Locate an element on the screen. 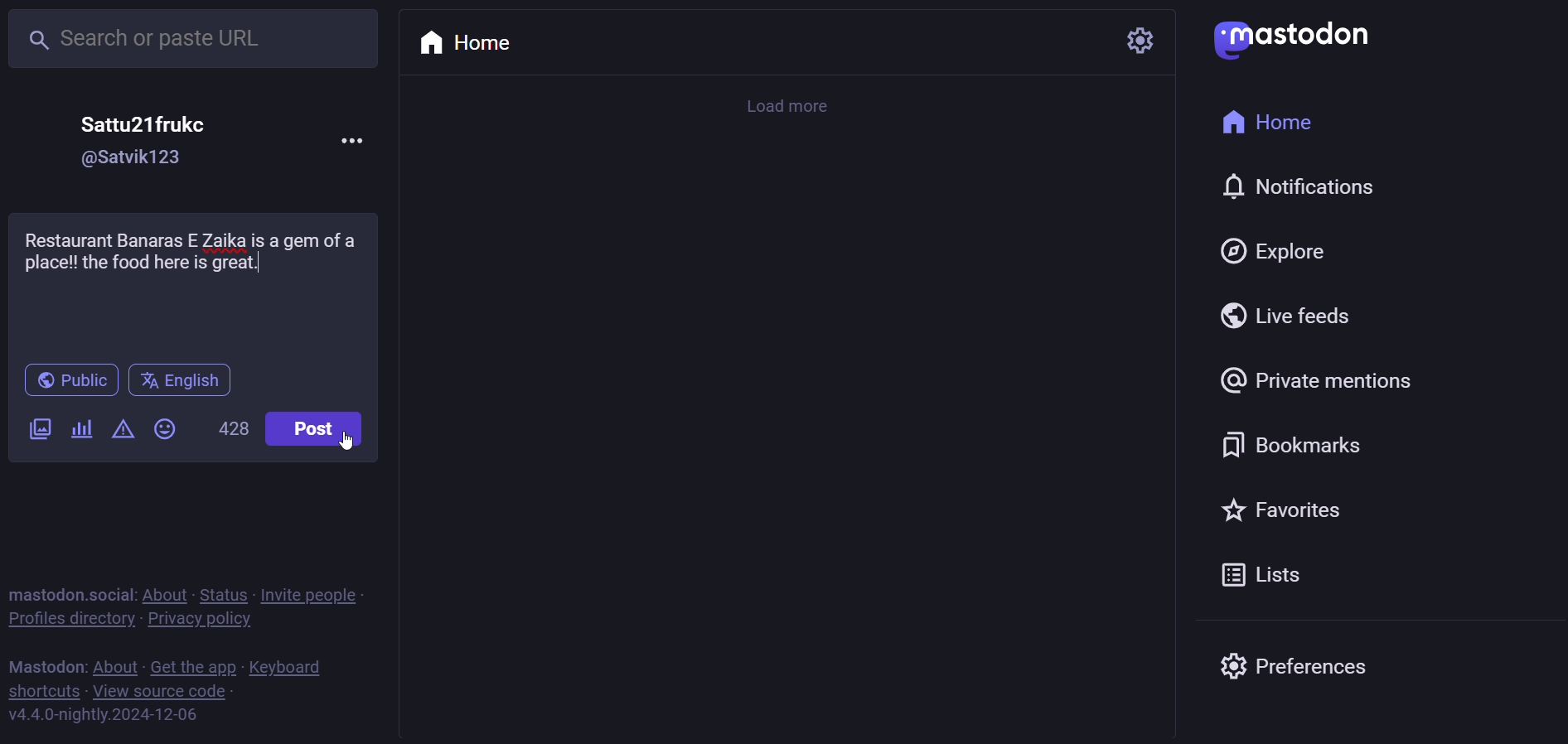 This screenshot has width=1568, height=744. source code is located at coordinates (162, 689).